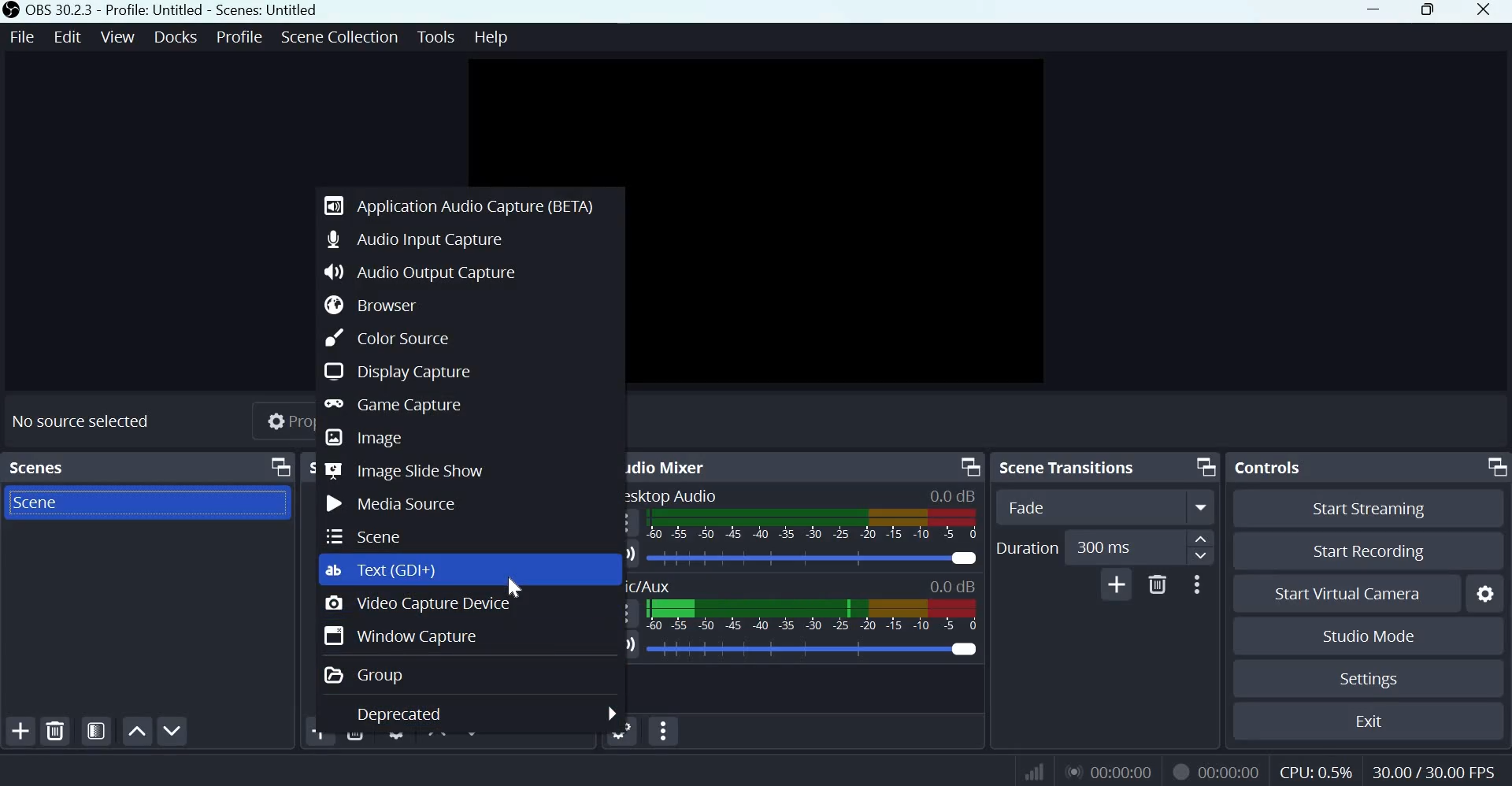  Describe the element at coordinates (1370, 679) in the screenshot. I see `Settings` at that location.